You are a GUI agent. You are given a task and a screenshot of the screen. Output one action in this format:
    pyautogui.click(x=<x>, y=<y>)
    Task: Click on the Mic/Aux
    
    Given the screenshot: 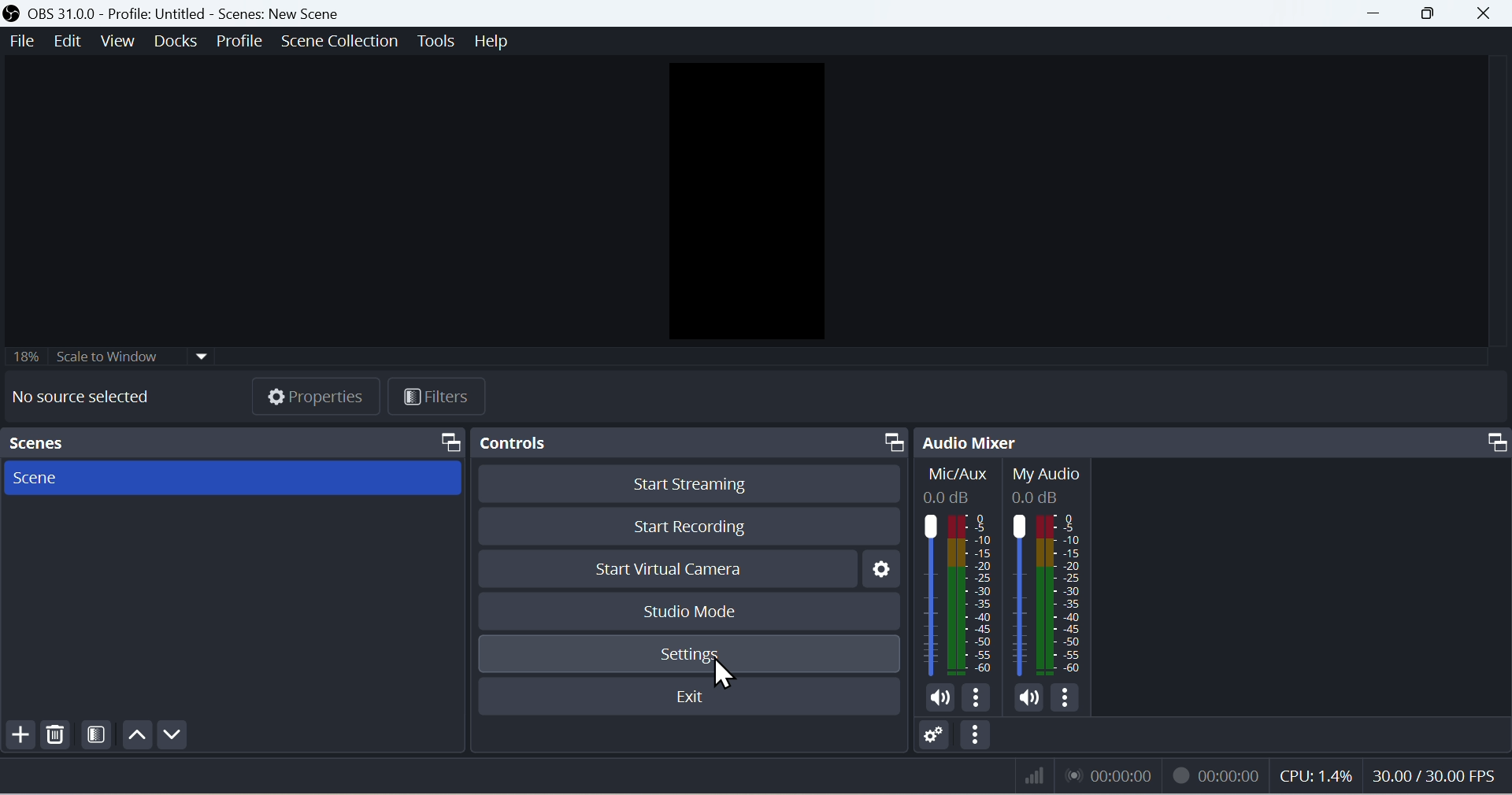 What is the action you would take?
    pyautogui.click(x=957, y=474)
    